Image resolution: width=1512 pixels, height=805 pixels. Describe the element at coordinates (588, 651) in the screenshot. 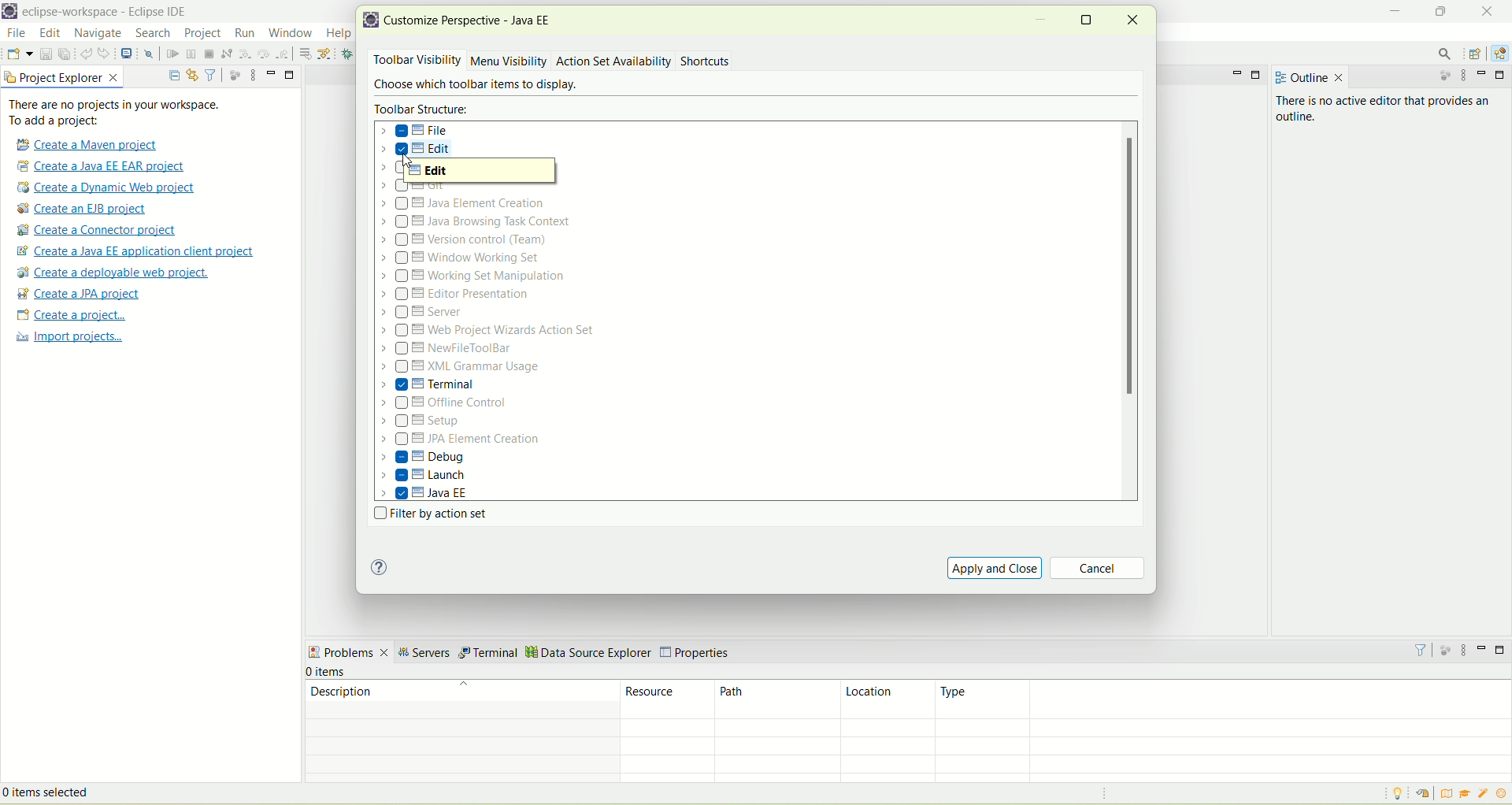

I see `data source explorer` at that location.